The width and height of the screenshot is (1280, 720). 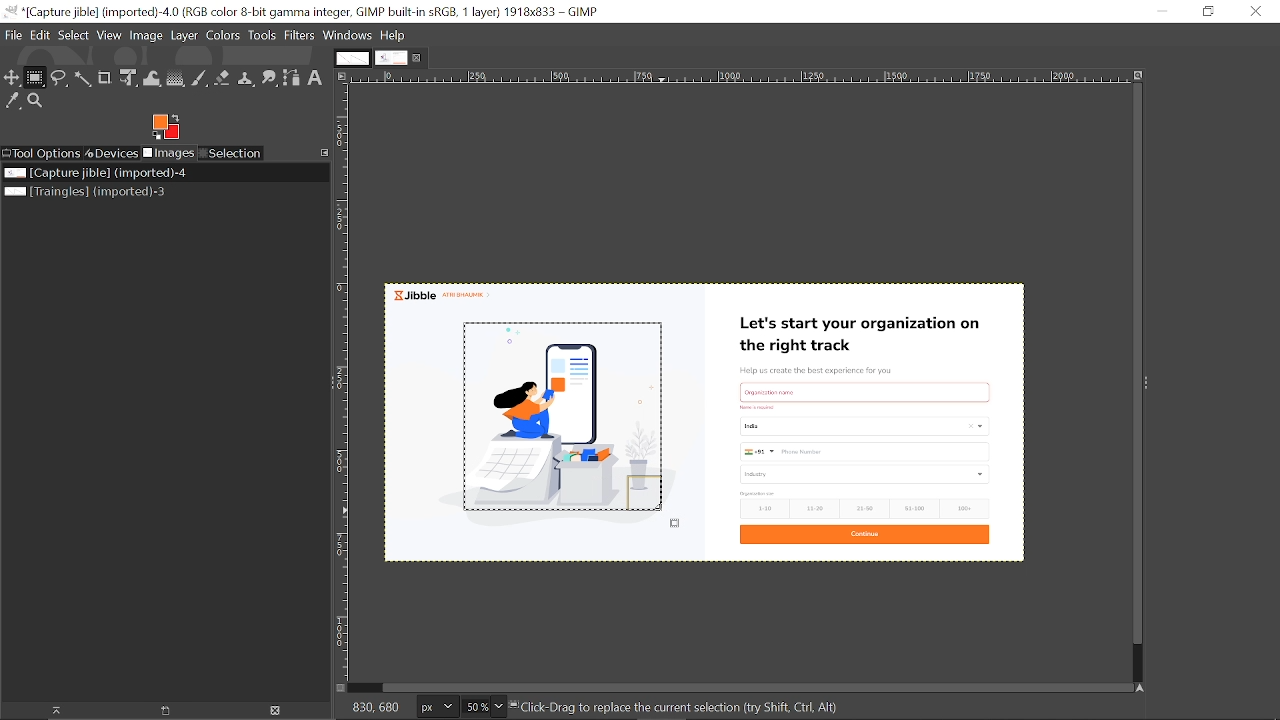 I want to click on first tab, so click(x=351, y=58).